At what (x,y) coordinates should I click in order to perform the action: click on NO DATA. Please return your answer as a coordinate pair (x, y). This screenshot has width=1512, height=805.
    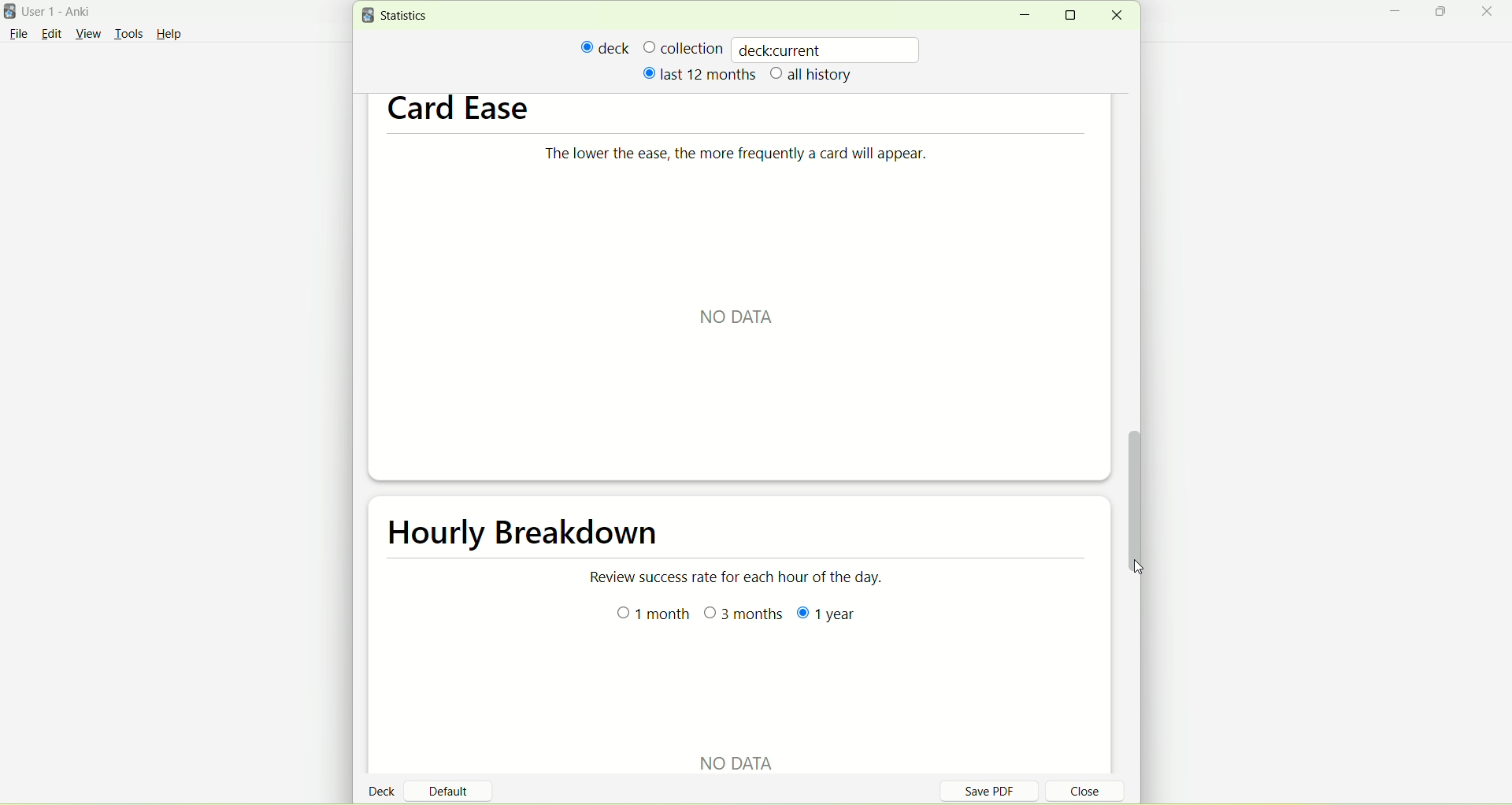
    Looking at the image, I should click on (741, 317).